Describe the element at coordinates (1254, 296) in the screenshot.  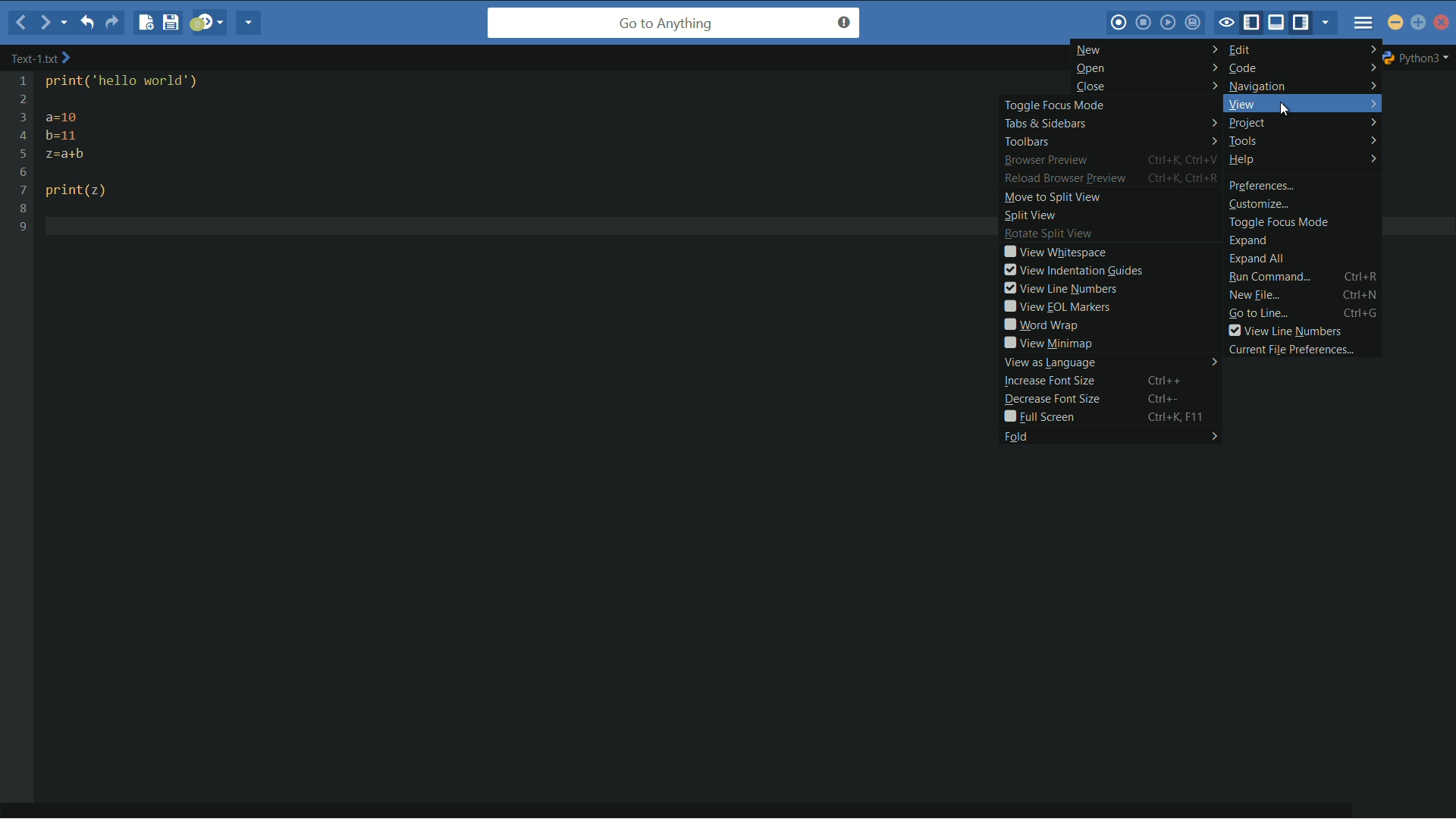
I see `new file` at that location.